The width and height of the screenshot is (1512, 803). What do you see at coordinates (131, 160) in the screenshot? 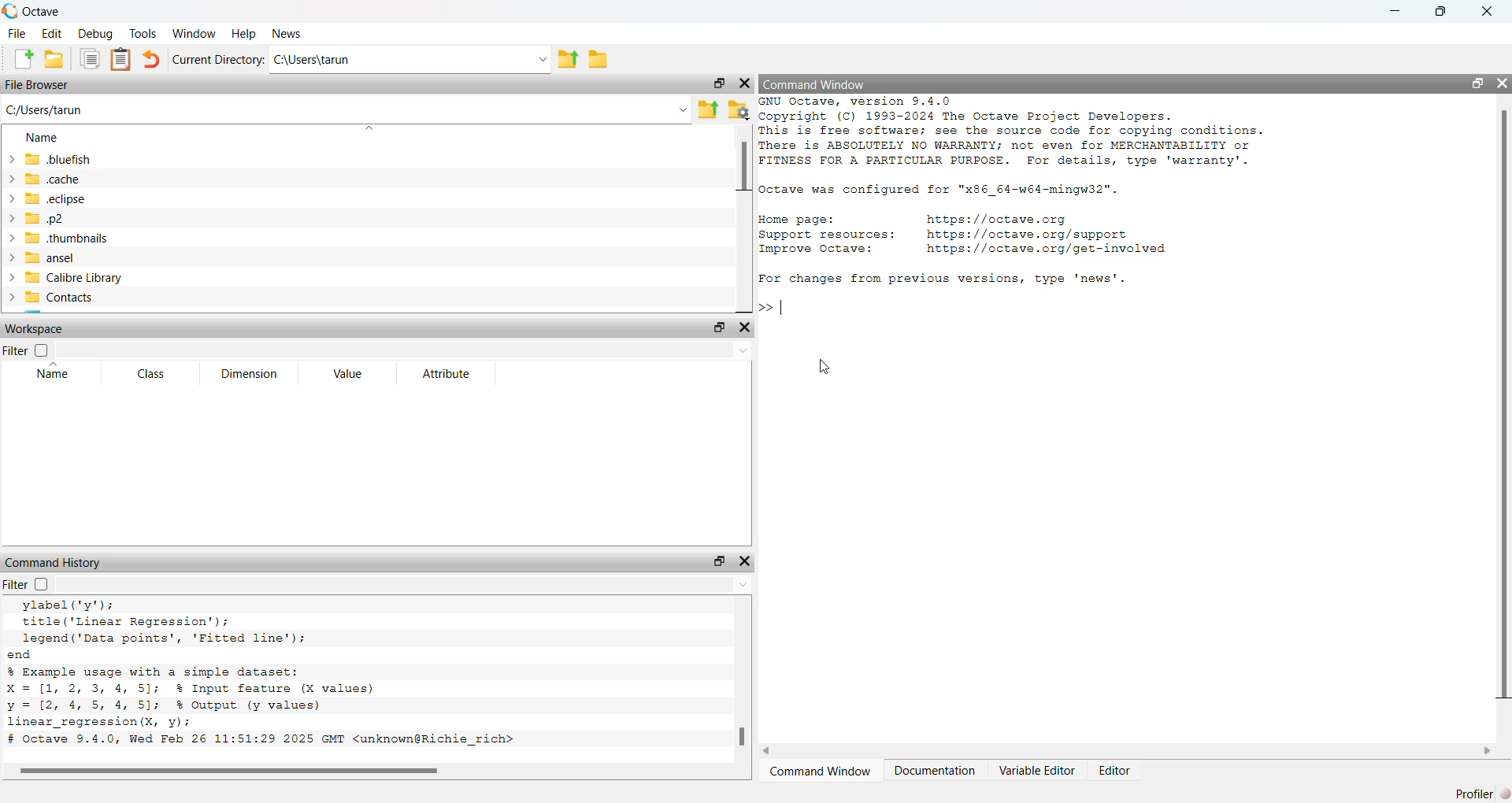
I see `.bluefish` at bounding box center [131, 160].